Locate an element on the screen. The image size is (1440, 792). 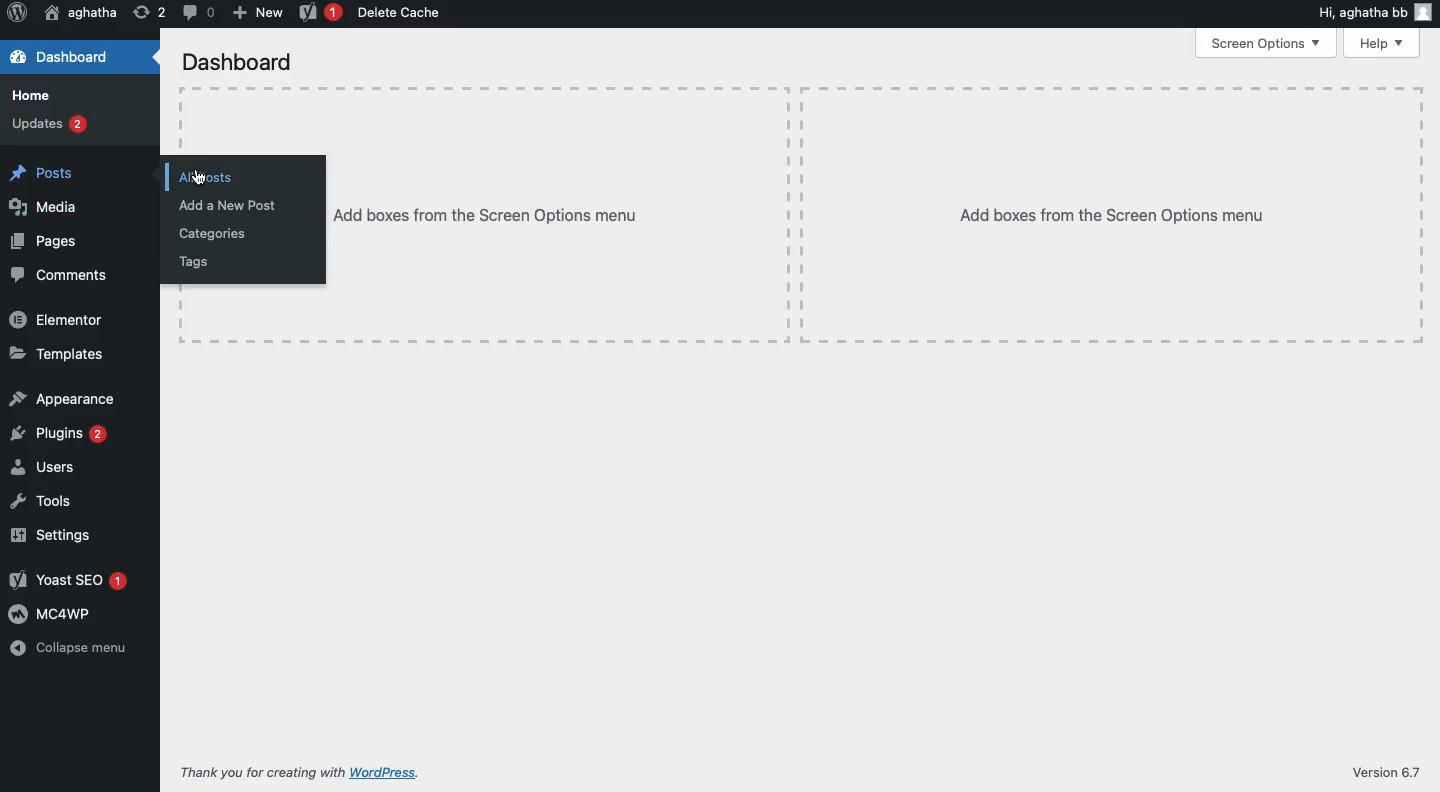
Profile is located at coordinates (1425, 11).